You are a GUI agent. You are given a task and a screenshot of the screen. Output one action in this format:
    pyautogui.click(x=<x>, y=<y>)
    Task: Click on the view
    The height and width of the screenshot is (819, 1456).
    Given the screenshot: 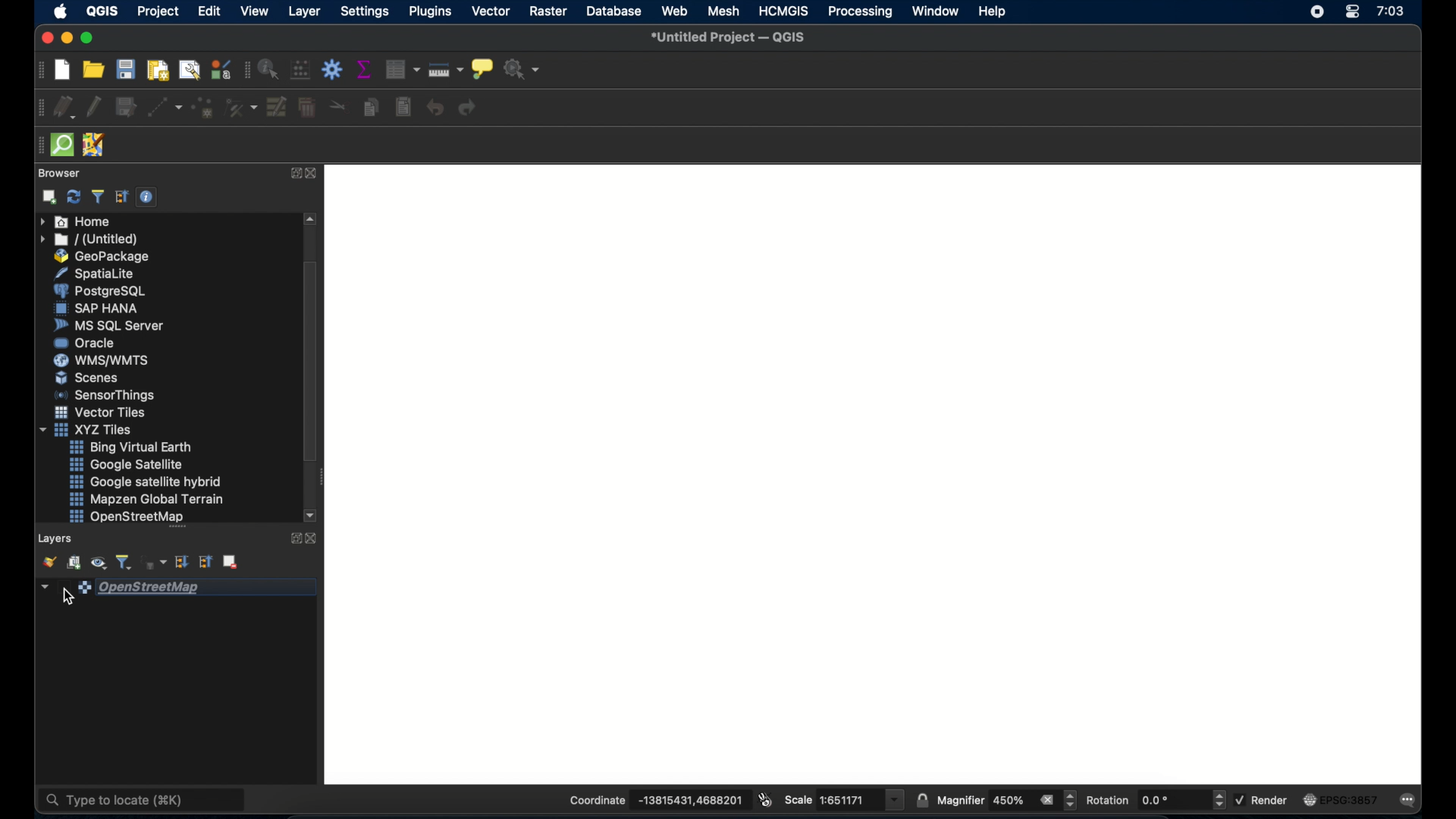 What is the action you would take?
    pyautogui.click(x=256, y=13)
    